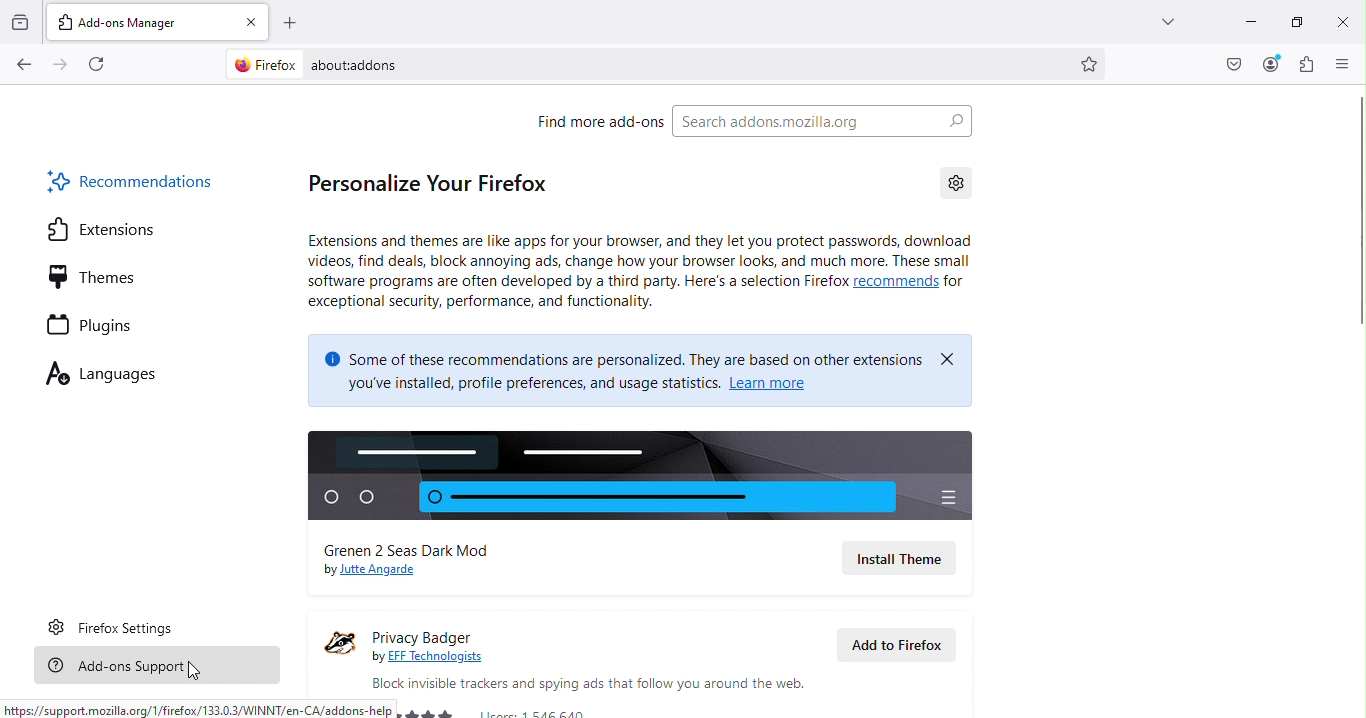 This screenshot has width=1366, height=718. What do you see at coordinates (633, 368) in the screenshot?
I see `Note` at bounding box center [633, 368].